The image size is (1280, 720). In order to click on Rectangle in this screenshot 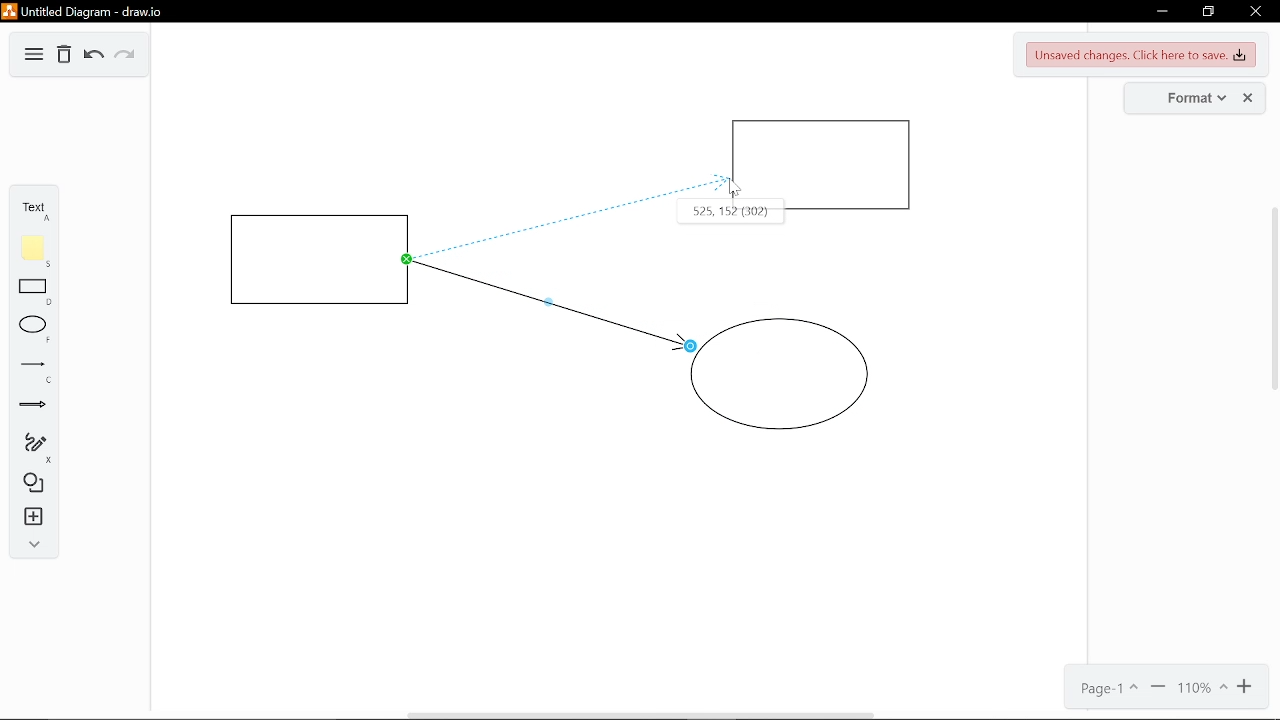, I will do `click(823, 166)`.